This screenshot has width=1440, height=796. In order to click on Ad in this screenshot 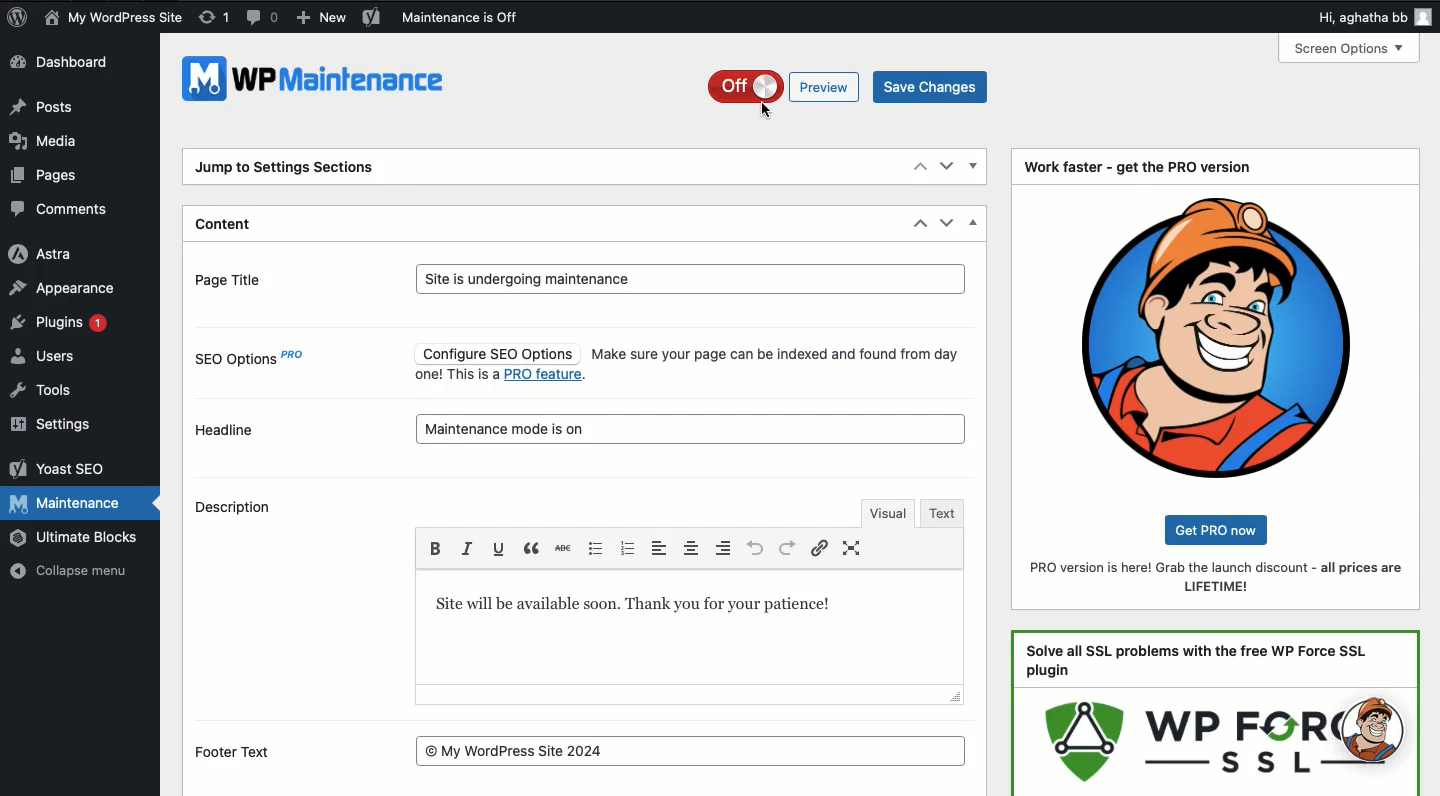, I will do `click(1216, 713)`.